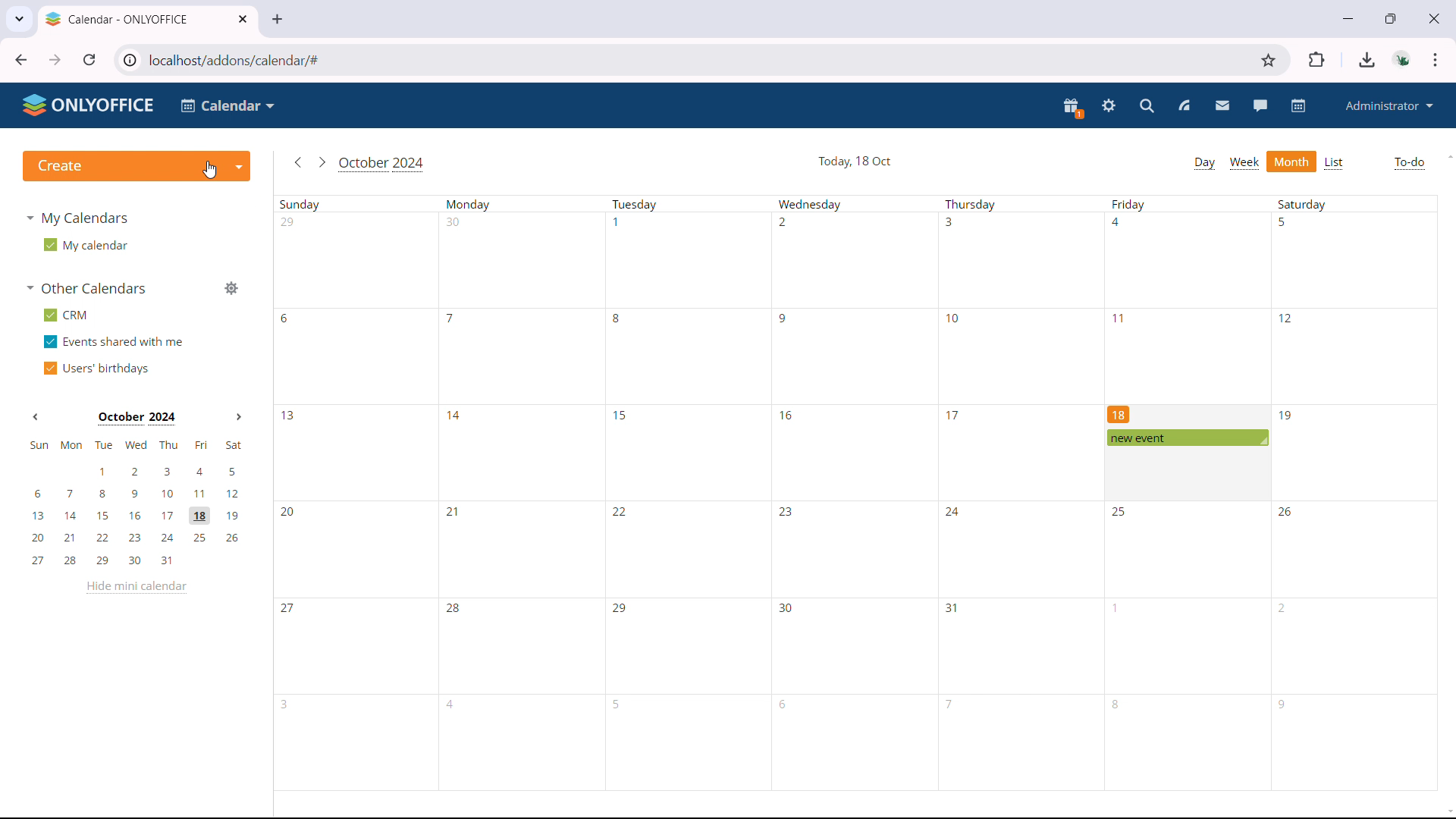 The image size is (1456, 819). Describe the element at coordinates (303, 205) in the screenshot. I see `Sunday` at that location.